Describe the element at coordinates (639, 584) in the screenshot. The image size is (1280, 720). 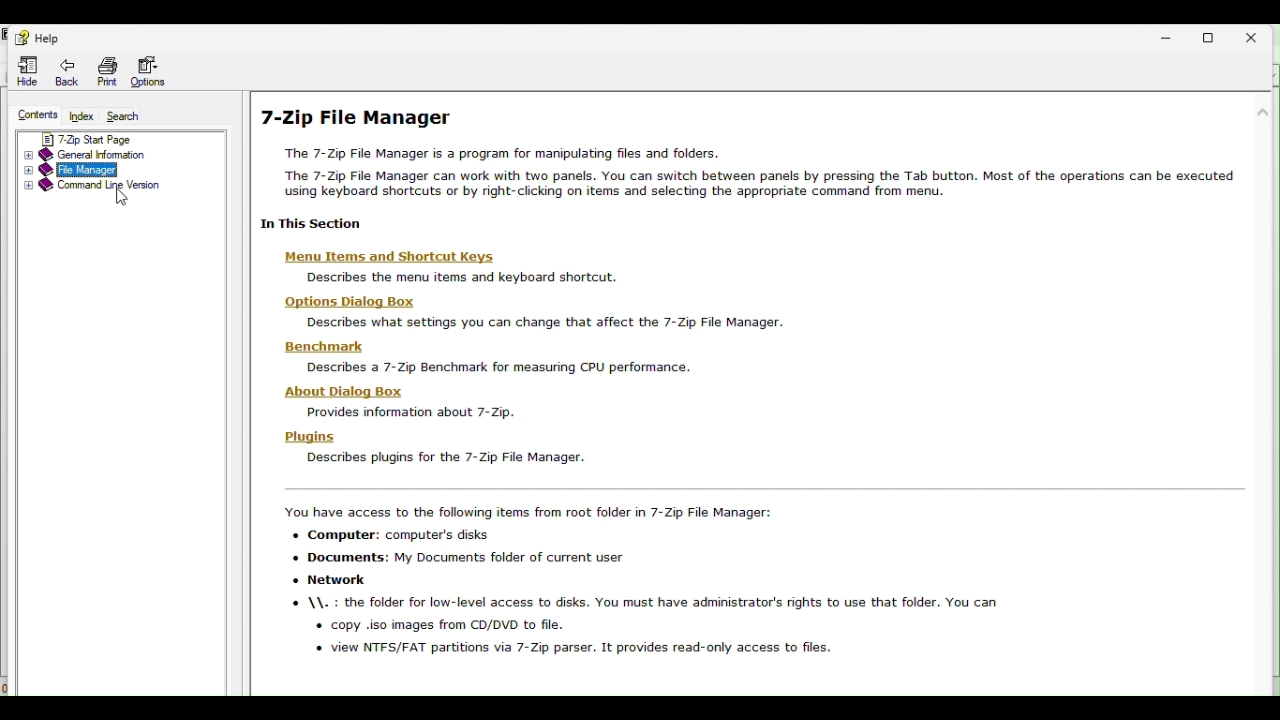
I see `You have access to the folowing items from root folder in 7-Zip Fie Manager:  Computer: computer's disks  Documents: My Documents folder of current user  Network   \\.:  the folder for low-level access to disks. You must have administrators rights to use that folder. You can   copy .iso images from CD/DVD to file.    view NTFS/FAT partitions via 7-Zip parser. It provides read-only access to files. ` at that location.